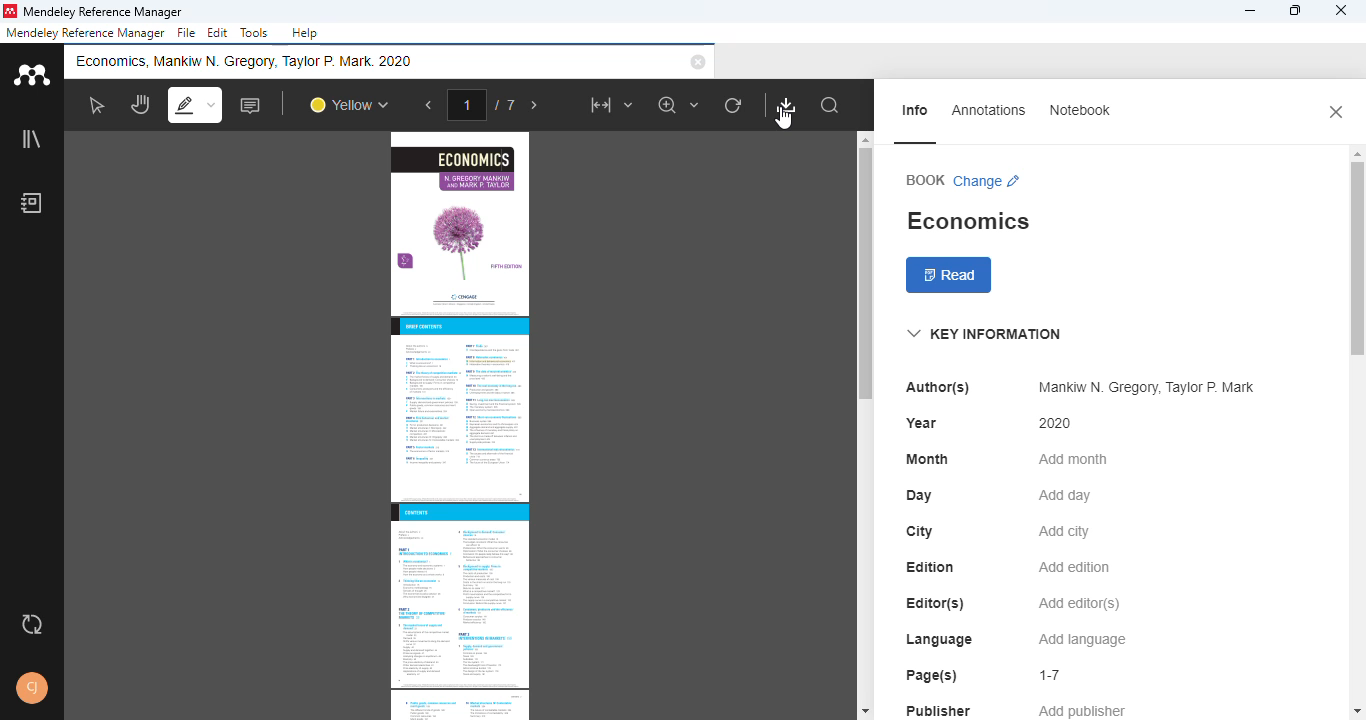  I want to click on add publisher, so click(1083, 709).